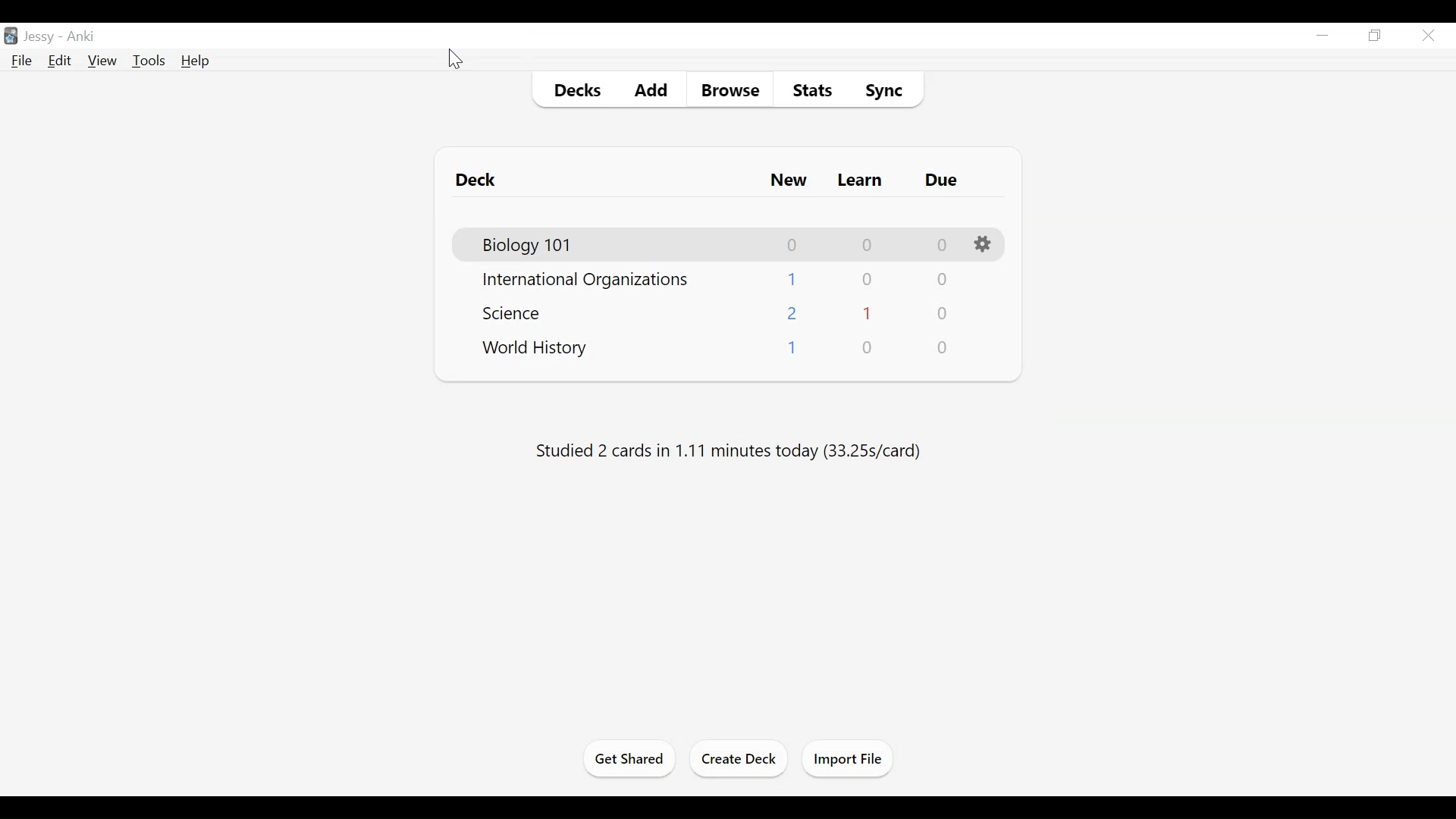  Describe the element at coordinates (859, 180) in the screenshot. I see `Learn Cards` at that location.